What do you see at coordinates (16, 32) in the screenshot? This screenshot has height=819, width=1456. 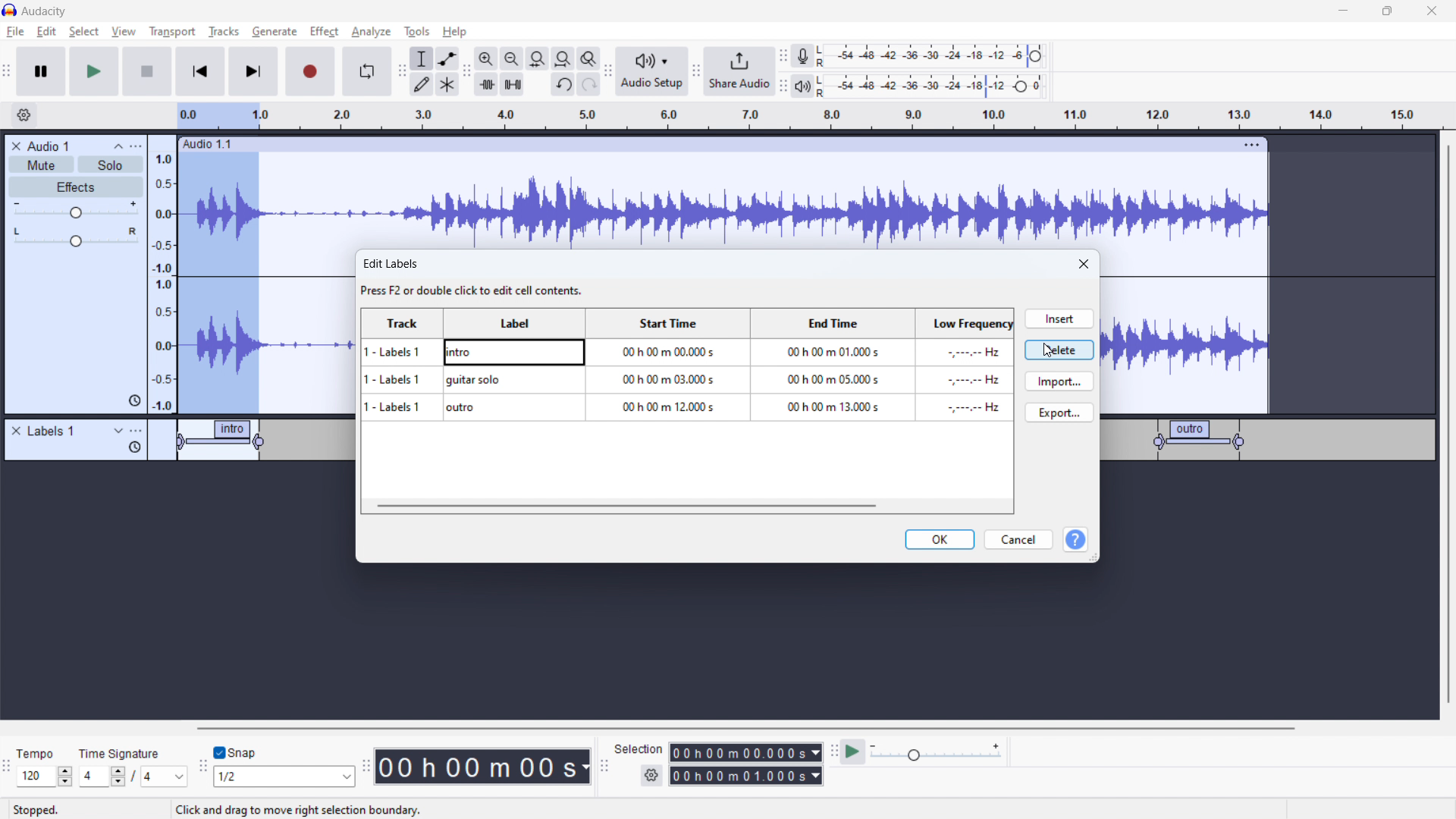 I see `file` at bounding box center [16, 32].